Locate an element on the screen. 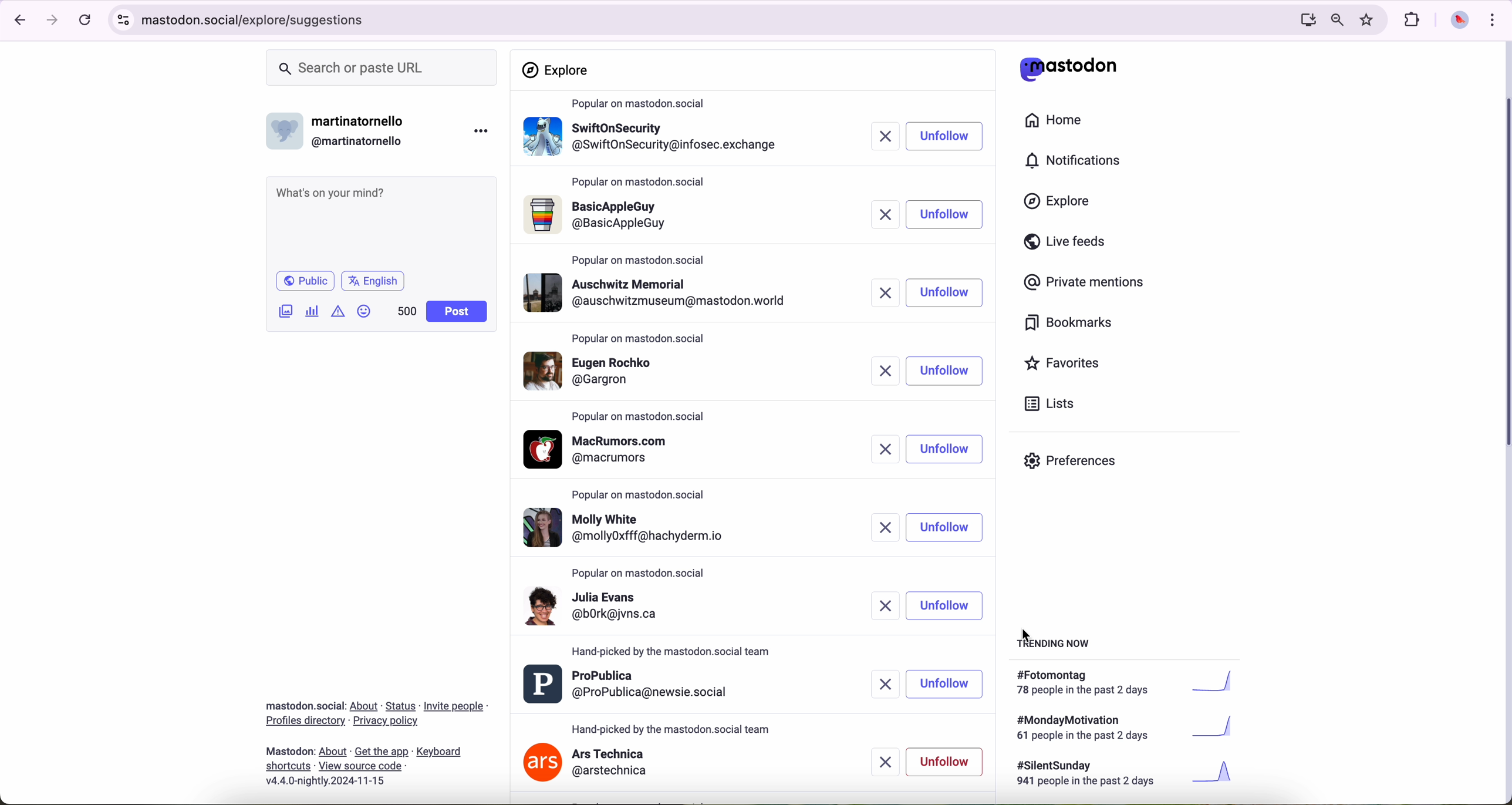 The width and height of the screenshot is (1512, 805). profile is located at coordinates (626, 527).